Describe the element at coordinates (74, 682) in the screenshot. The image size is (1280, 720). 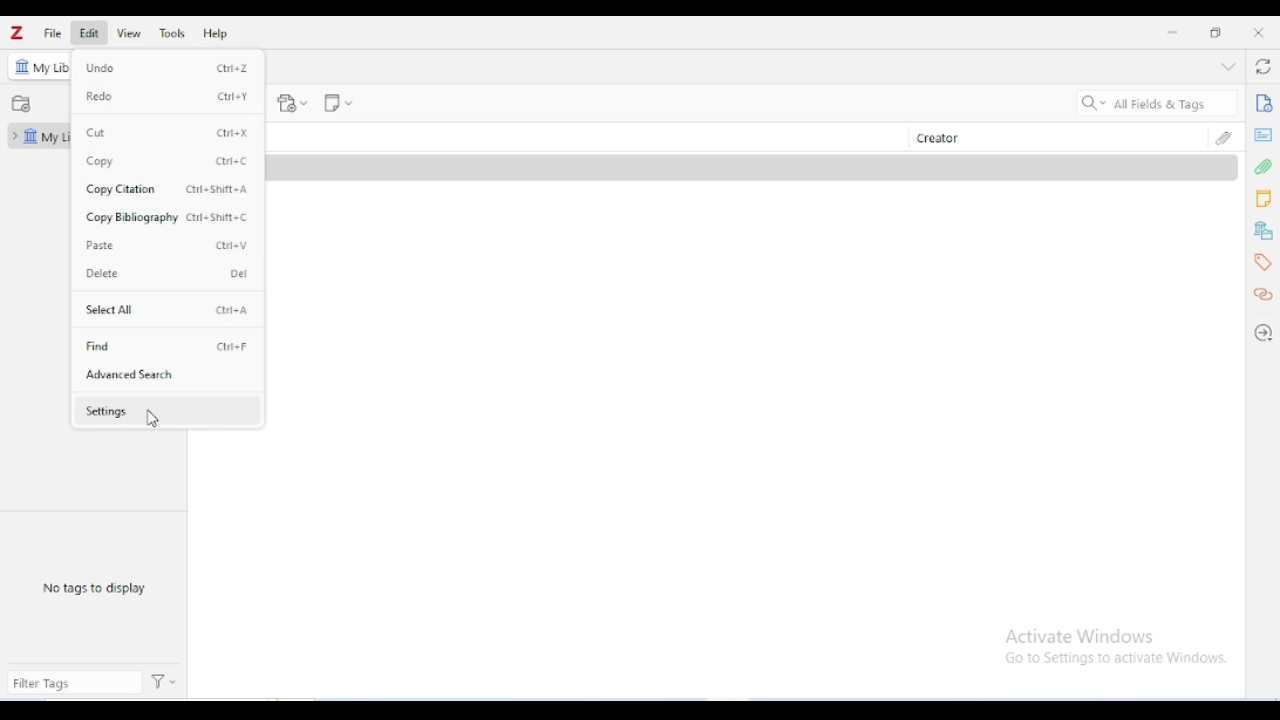
I see `filter tags` at that location.